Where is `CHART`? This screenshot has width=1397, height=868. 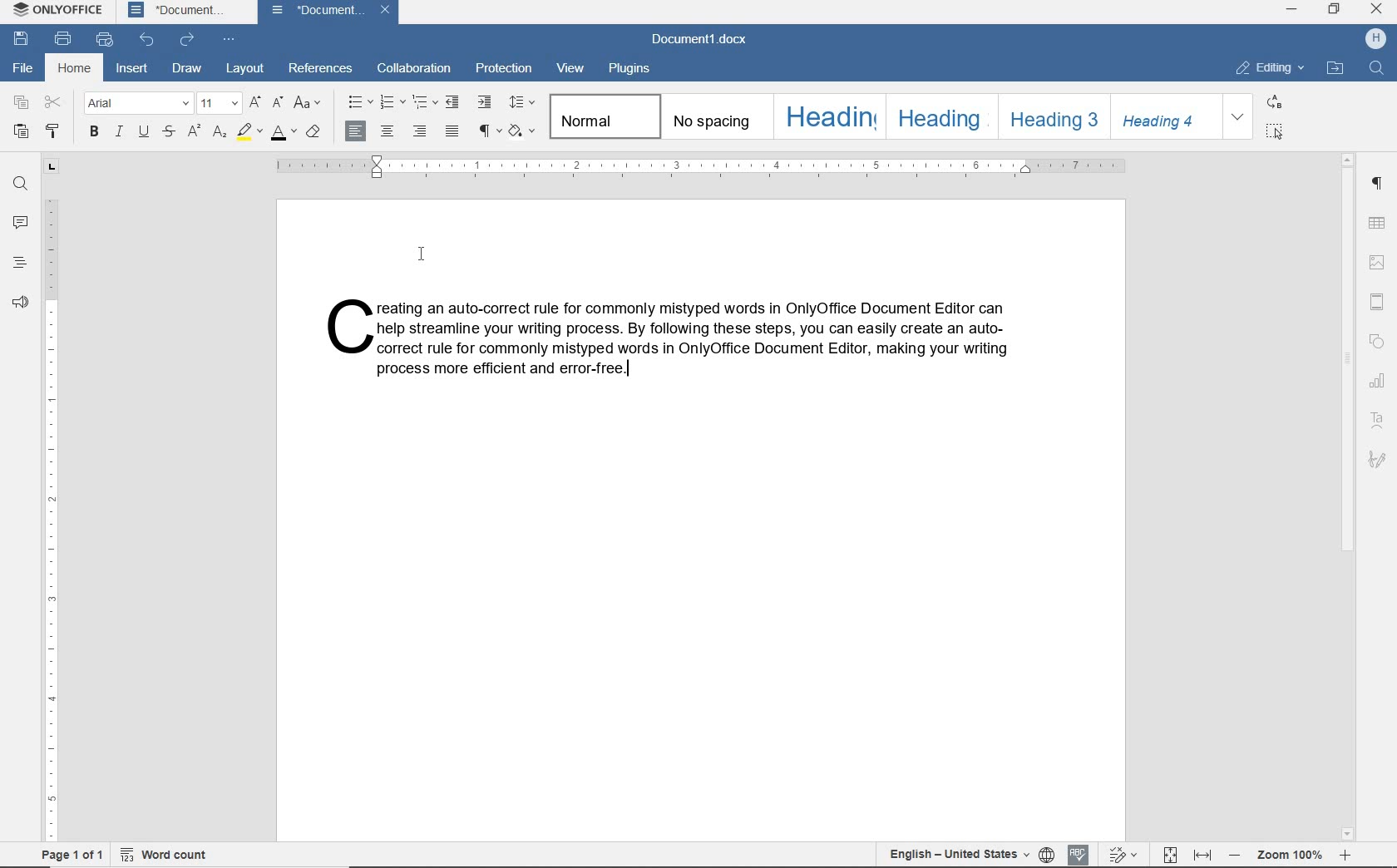
CHART is located at coordinates (1379, 379).